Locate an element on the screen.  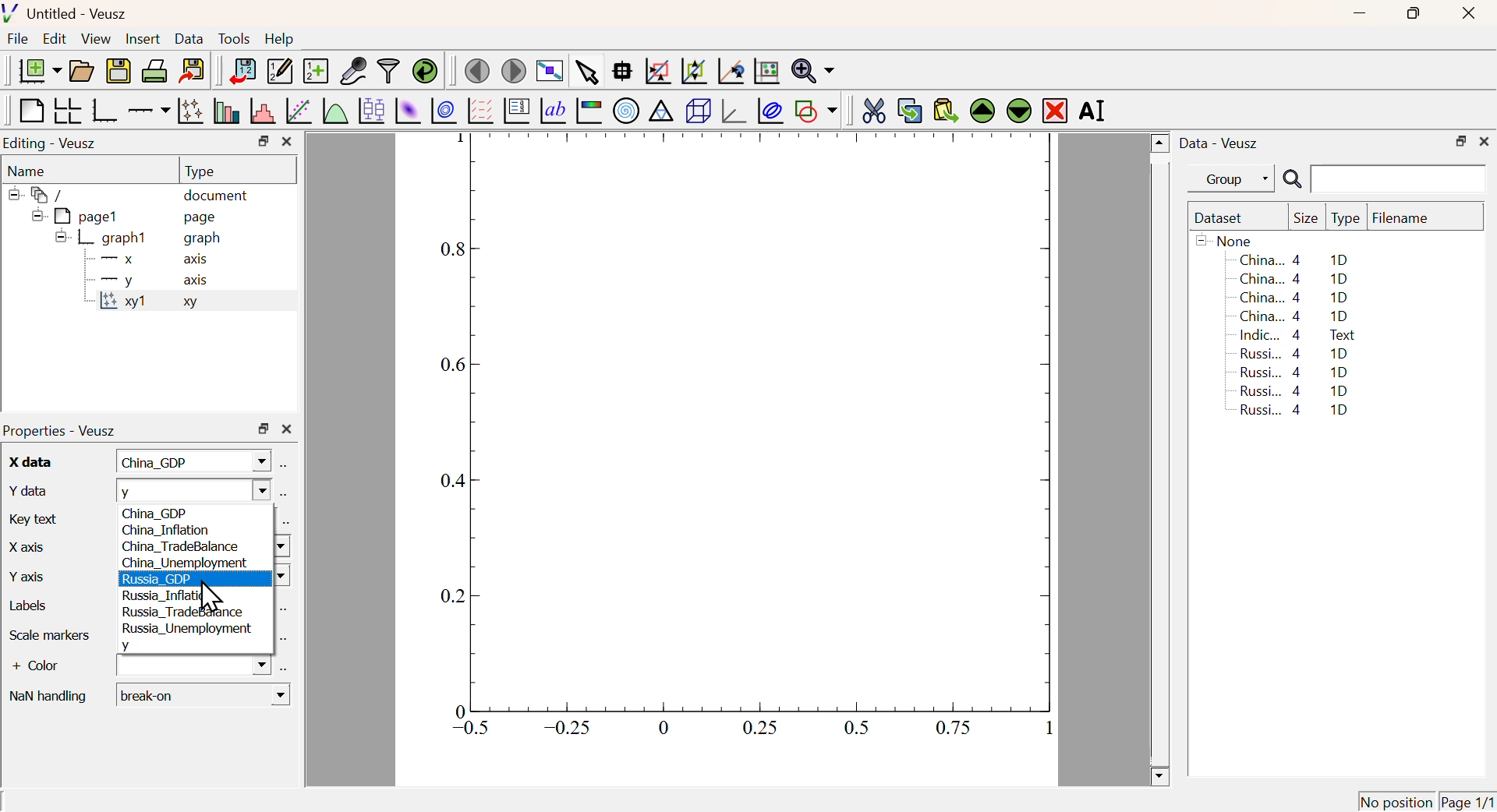
graph is located at coordinates (204, 239).